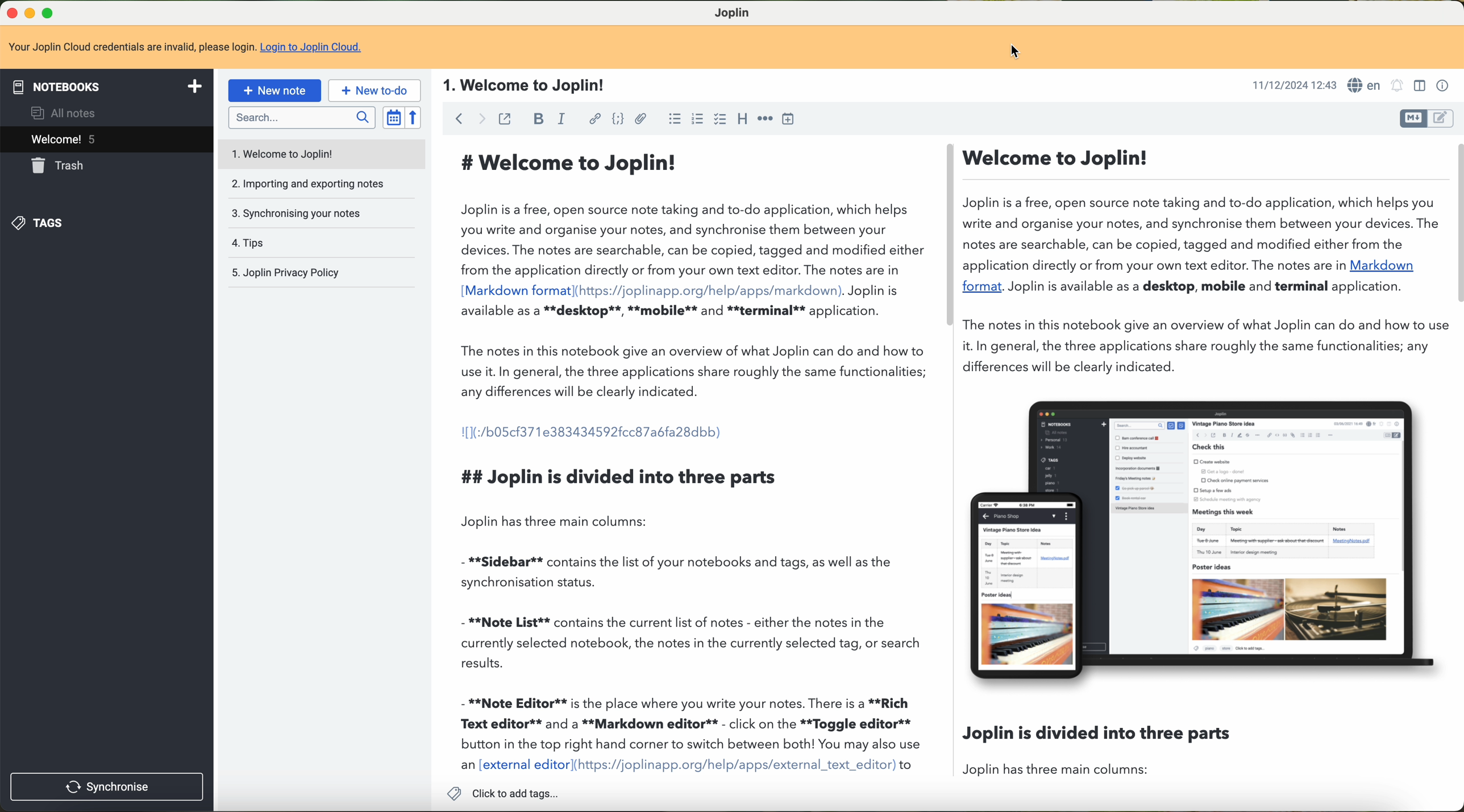 This screenshot has width=1464, height=812. Describe the element at coordinates (742, 121) in the screenshot. I see `heading` at that location.